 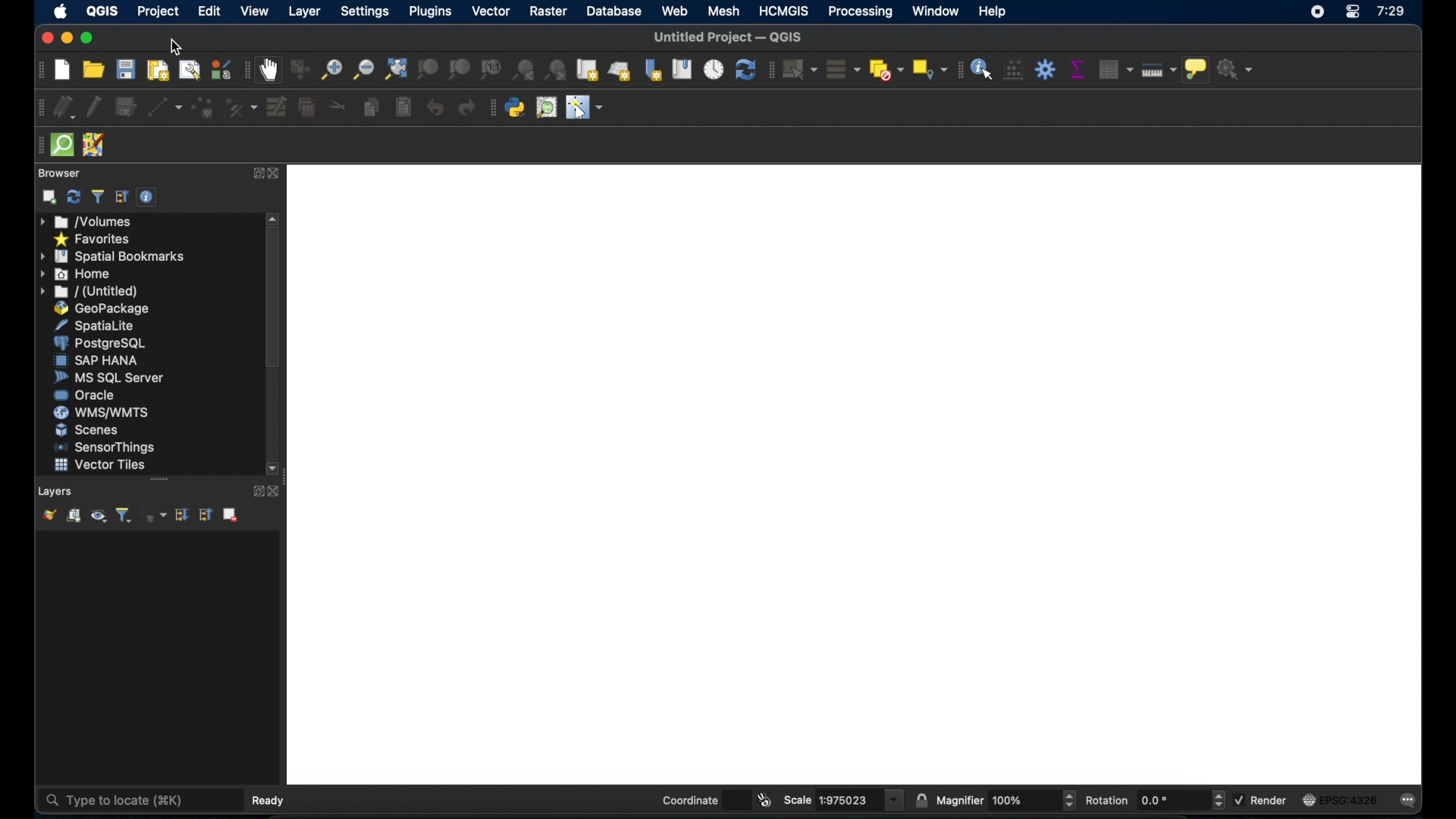 I want to click on delete selected, so click(x=307, y=108).